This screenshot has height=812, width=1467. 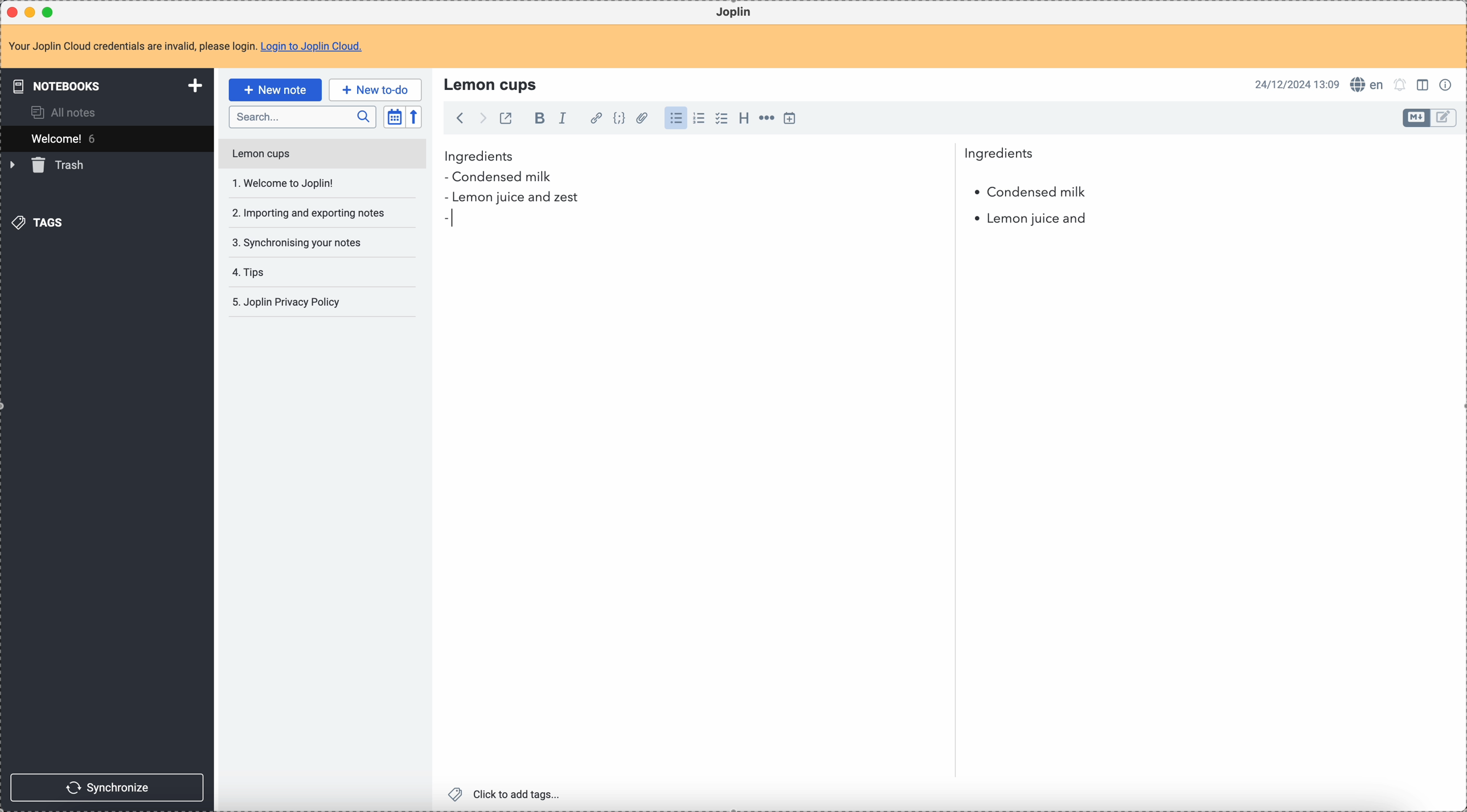 What do you see at coordinates (302, 117) in the screenshot?
I see `search bar` at bounding box center [302, 117].